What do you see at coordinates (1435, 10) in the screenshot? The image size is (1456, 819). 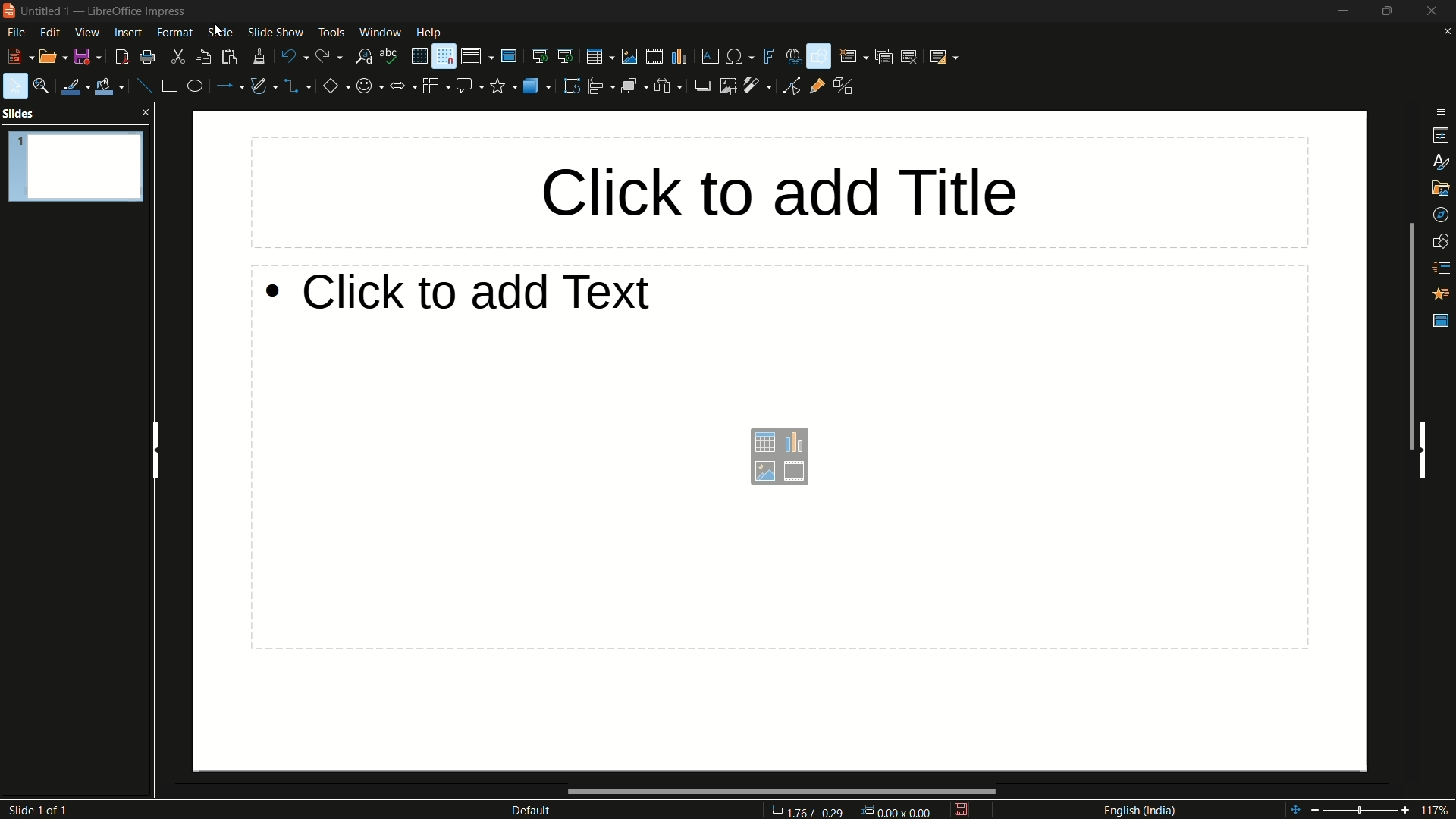 I see `close app` at bounding box center [1435, 10].